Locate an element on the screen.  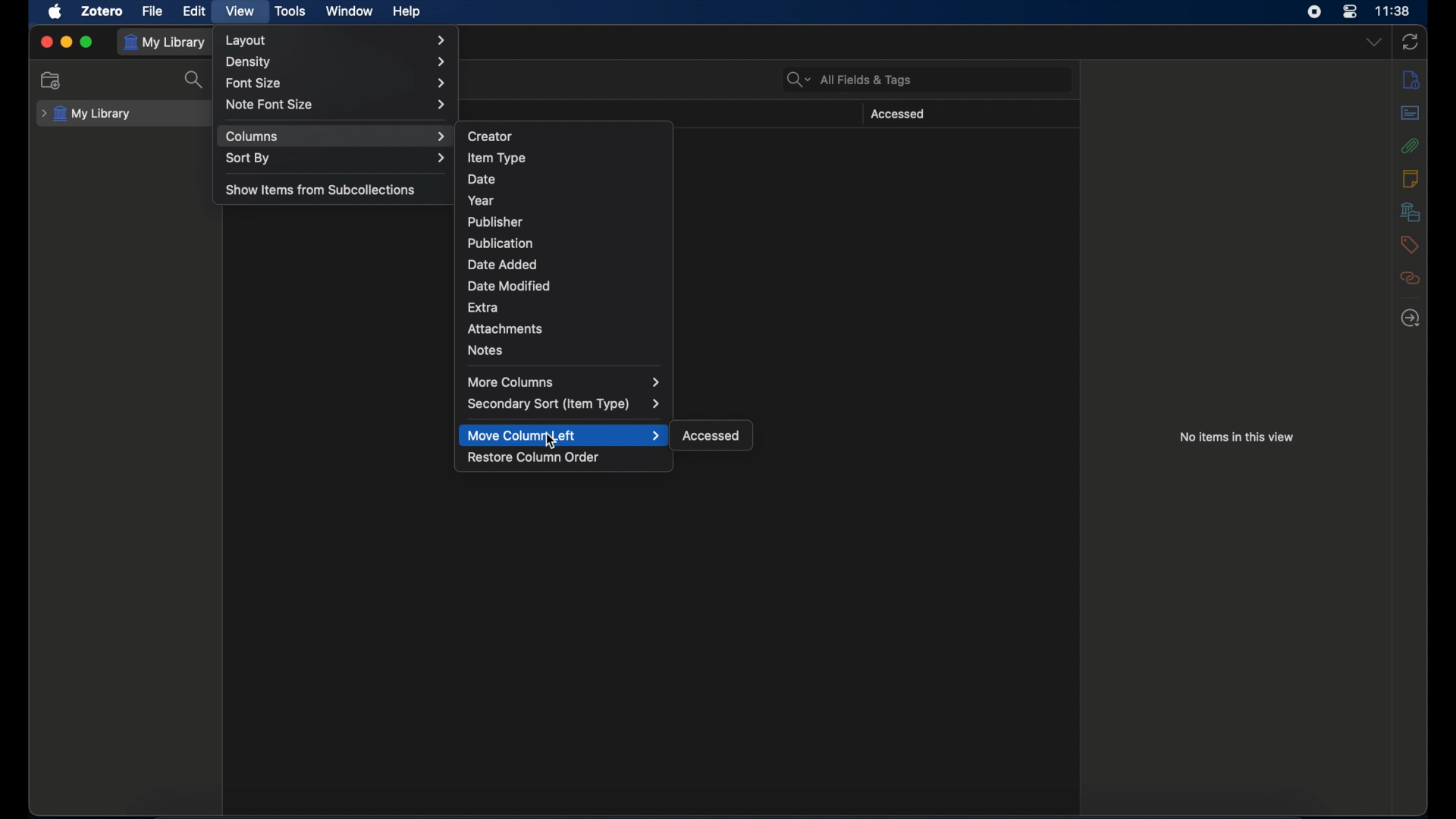
cursor is located at coordinates (551, 441).